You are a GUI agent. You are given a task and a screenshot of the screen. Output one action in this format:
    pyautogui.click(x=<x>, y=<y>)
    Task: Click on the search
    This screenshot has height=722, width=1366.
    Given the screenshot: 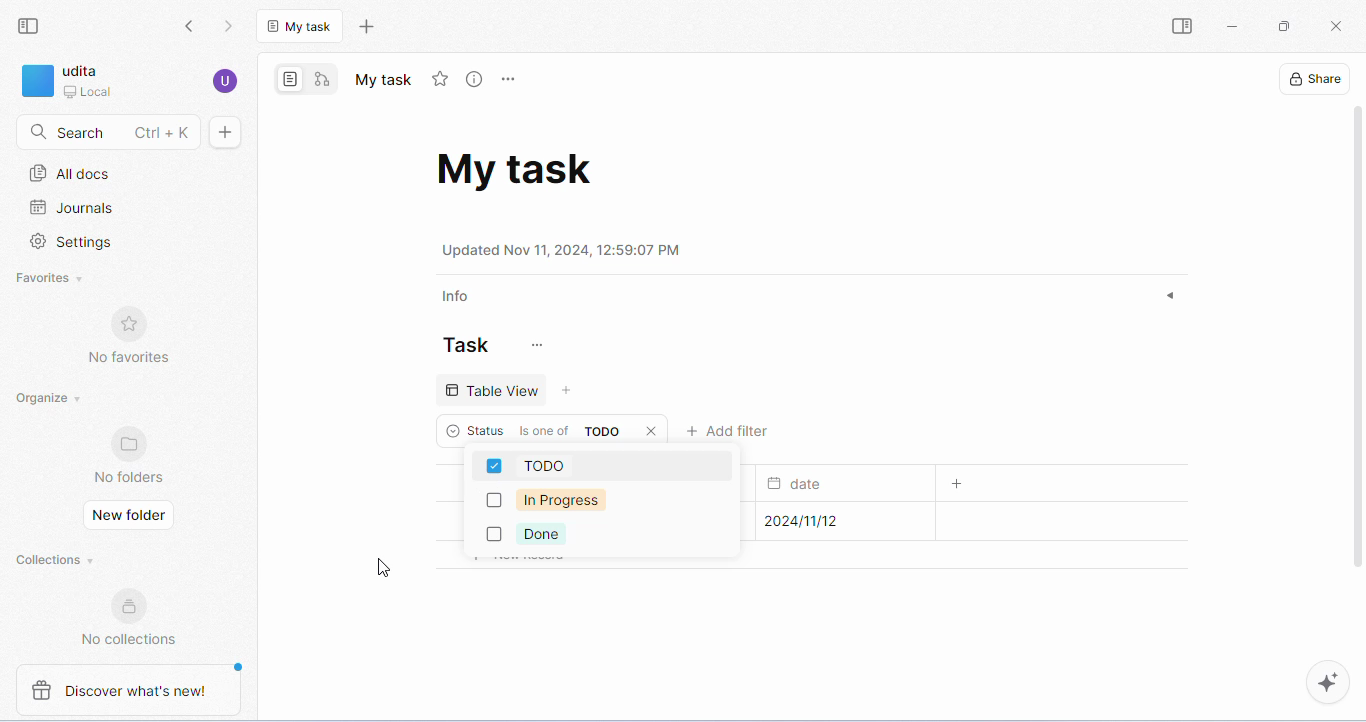 What is the action you would take?
    pyautogui.click(x=105, y=132)
    